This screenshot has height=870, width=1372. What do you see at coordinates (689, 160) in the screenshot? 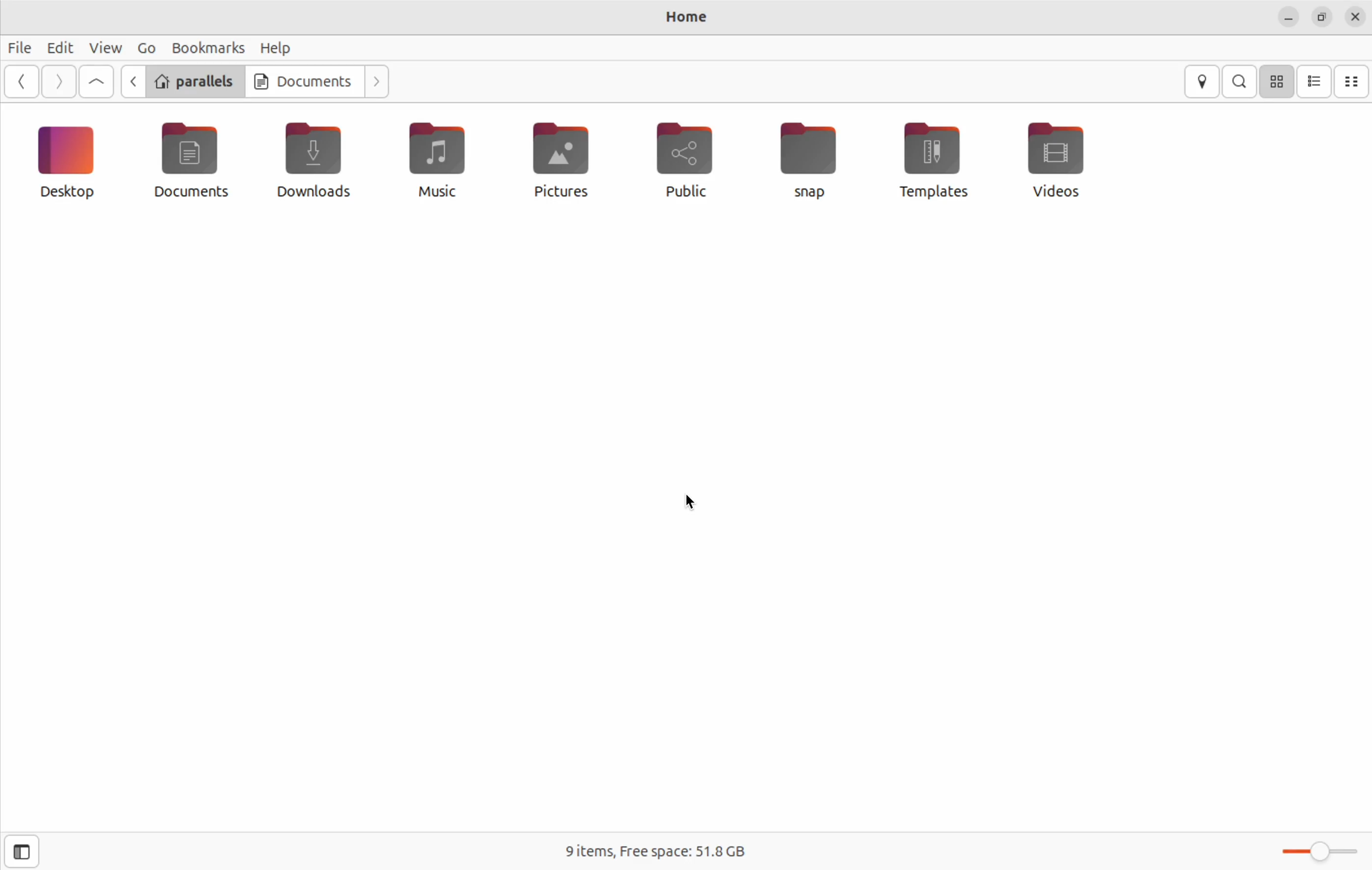
I see `public` at bounding box center [689, 160].